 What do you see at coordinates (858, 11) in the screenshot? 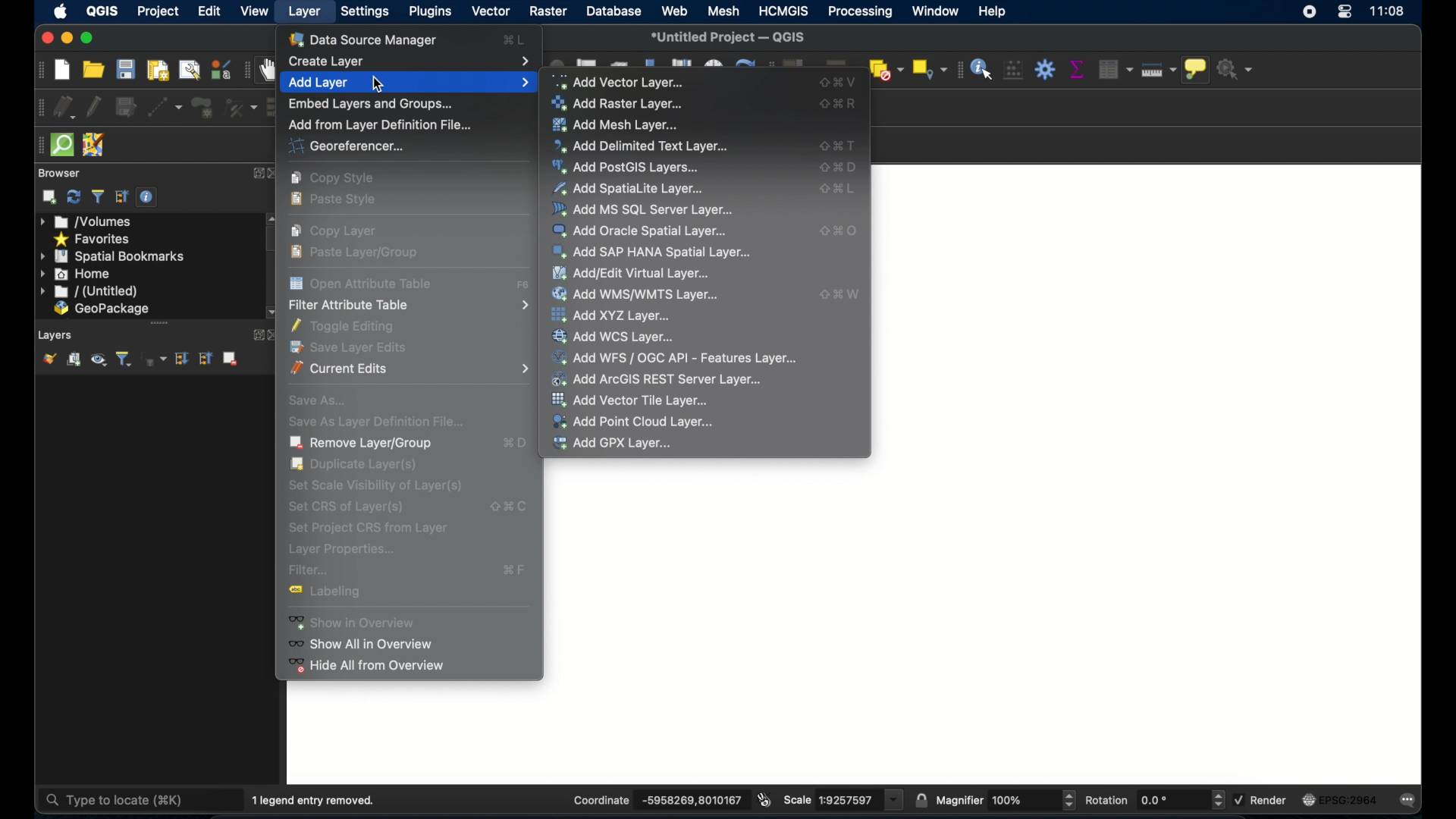
I see `processing` at bounding box center [858, 11].